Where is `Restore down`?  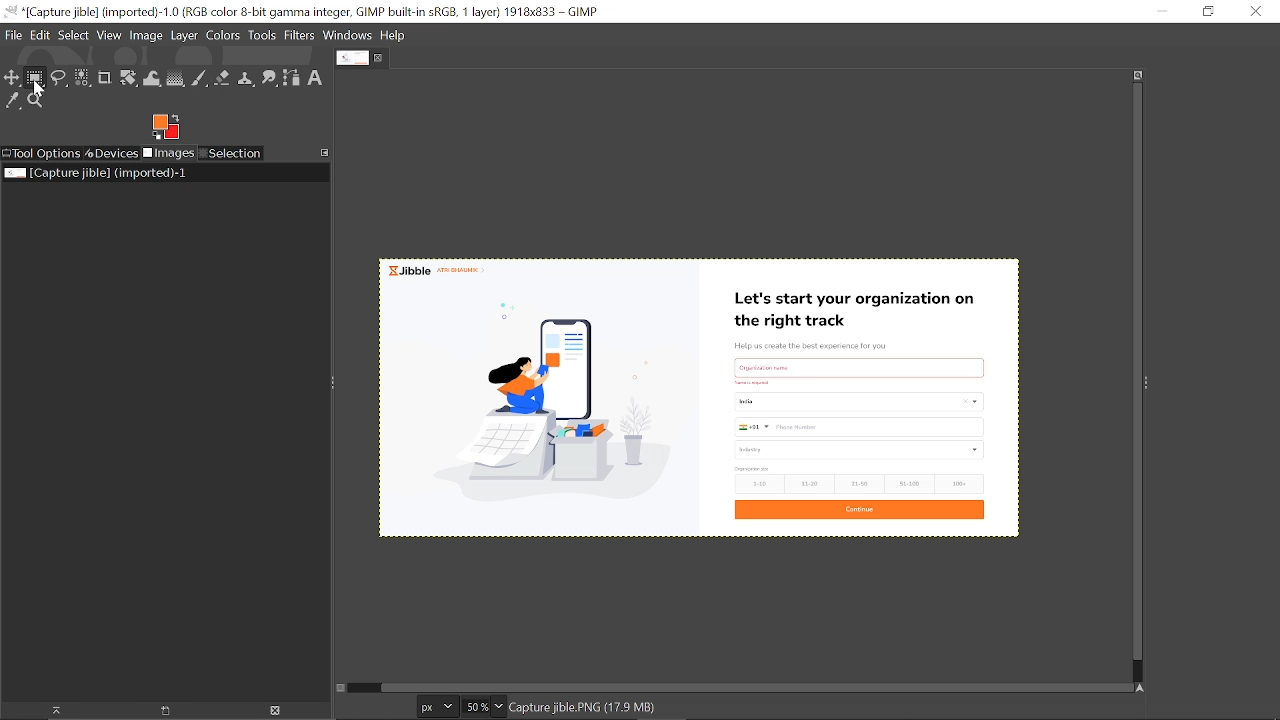 Restore down is located at coordinates (1202, 12).